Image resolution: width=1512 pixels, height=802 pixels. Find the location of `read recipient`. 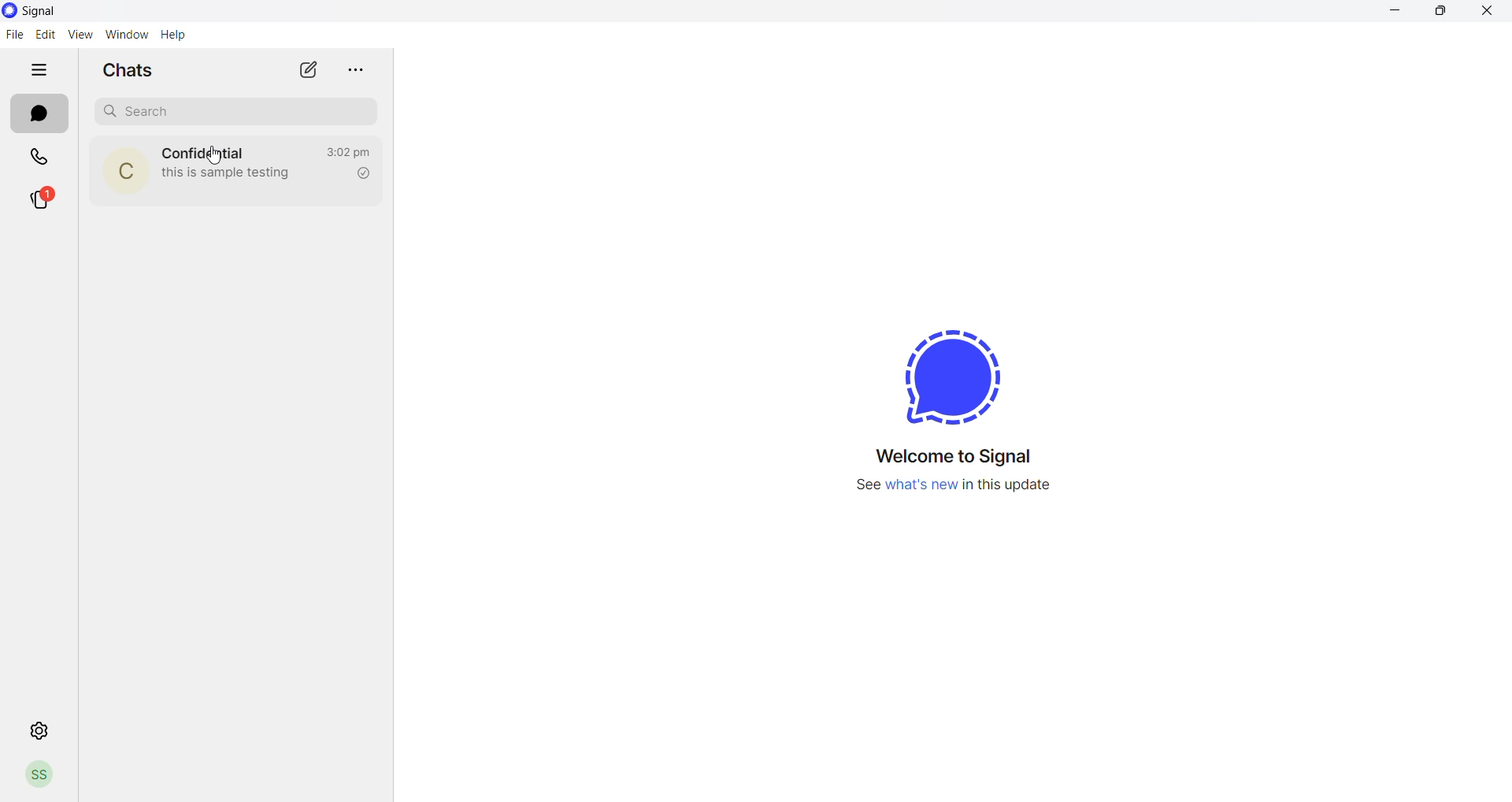

read recipient is located at coordinates (365, 175).